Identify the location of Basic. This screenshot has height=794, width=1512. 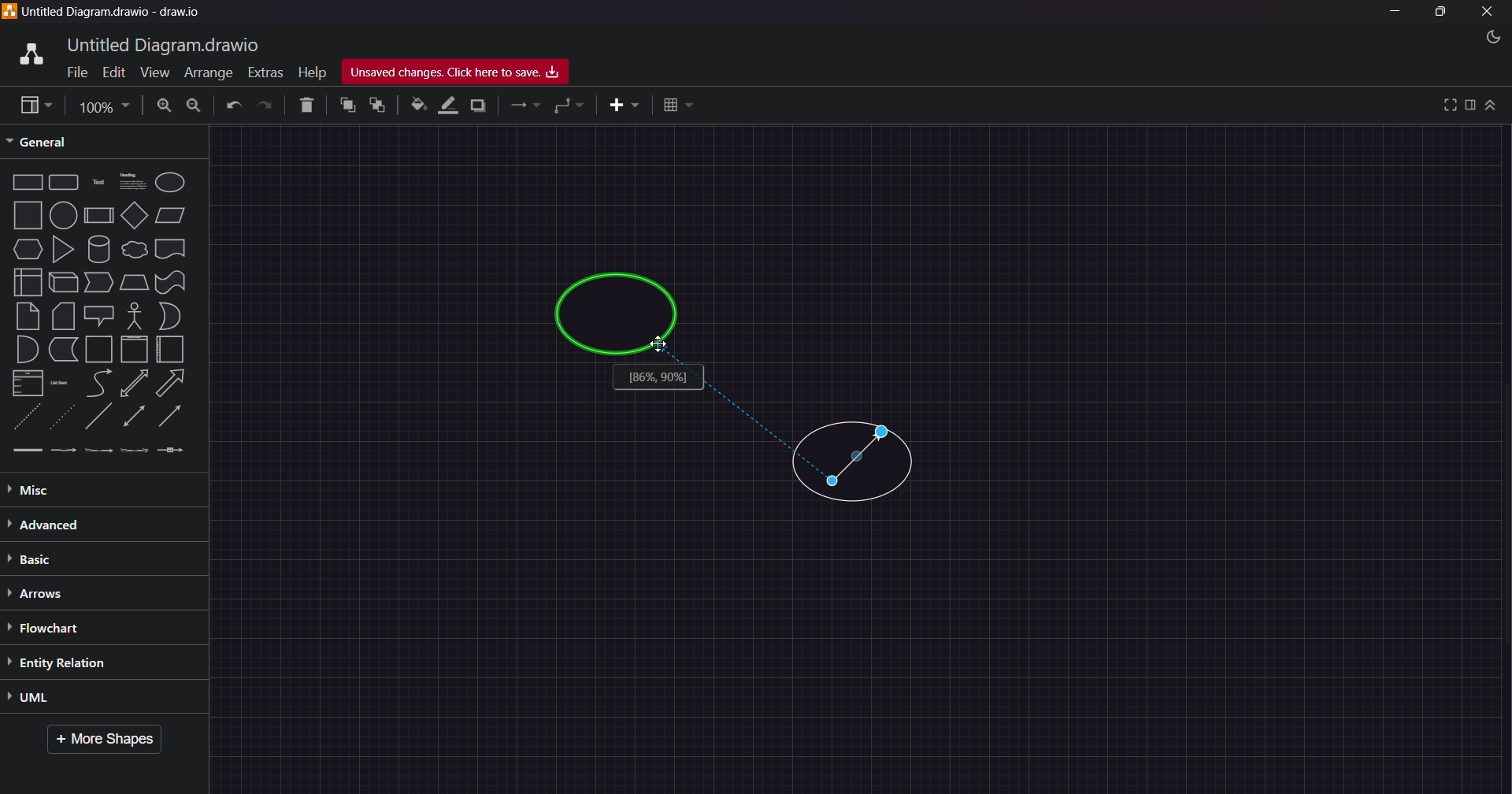
(43, 559).